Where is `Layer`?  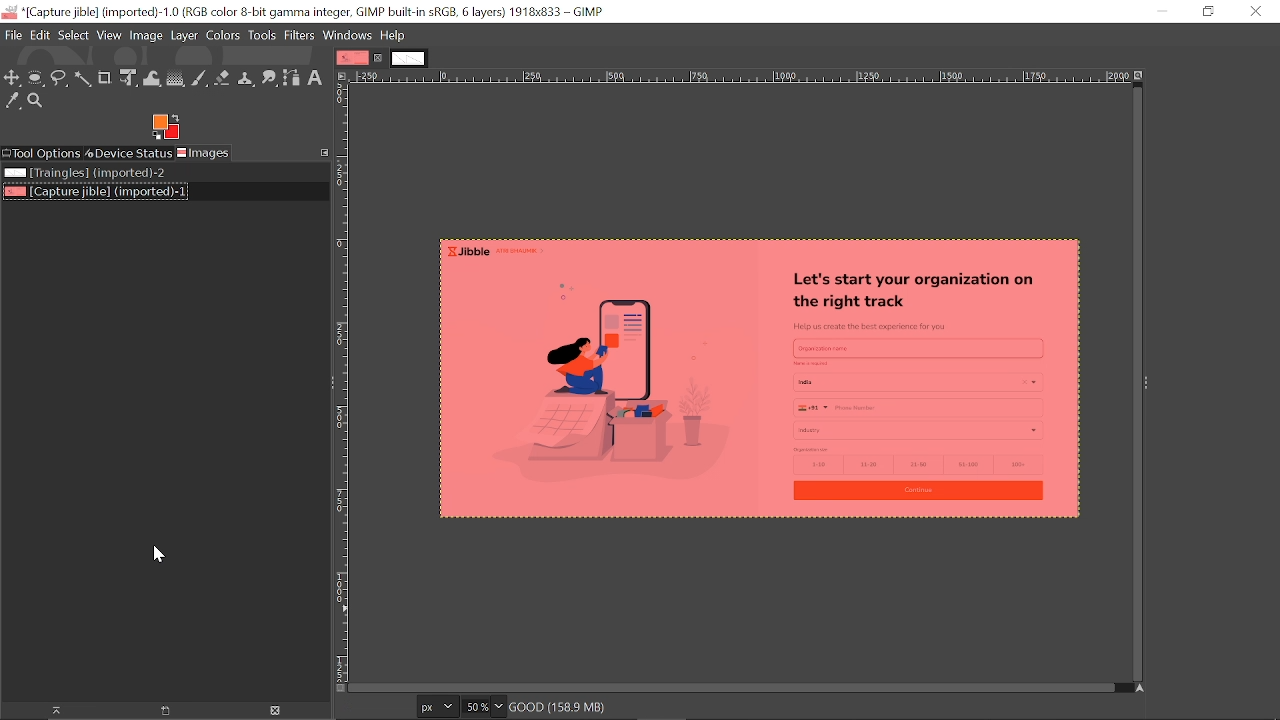
Layer is located at coordinates (185, 35).